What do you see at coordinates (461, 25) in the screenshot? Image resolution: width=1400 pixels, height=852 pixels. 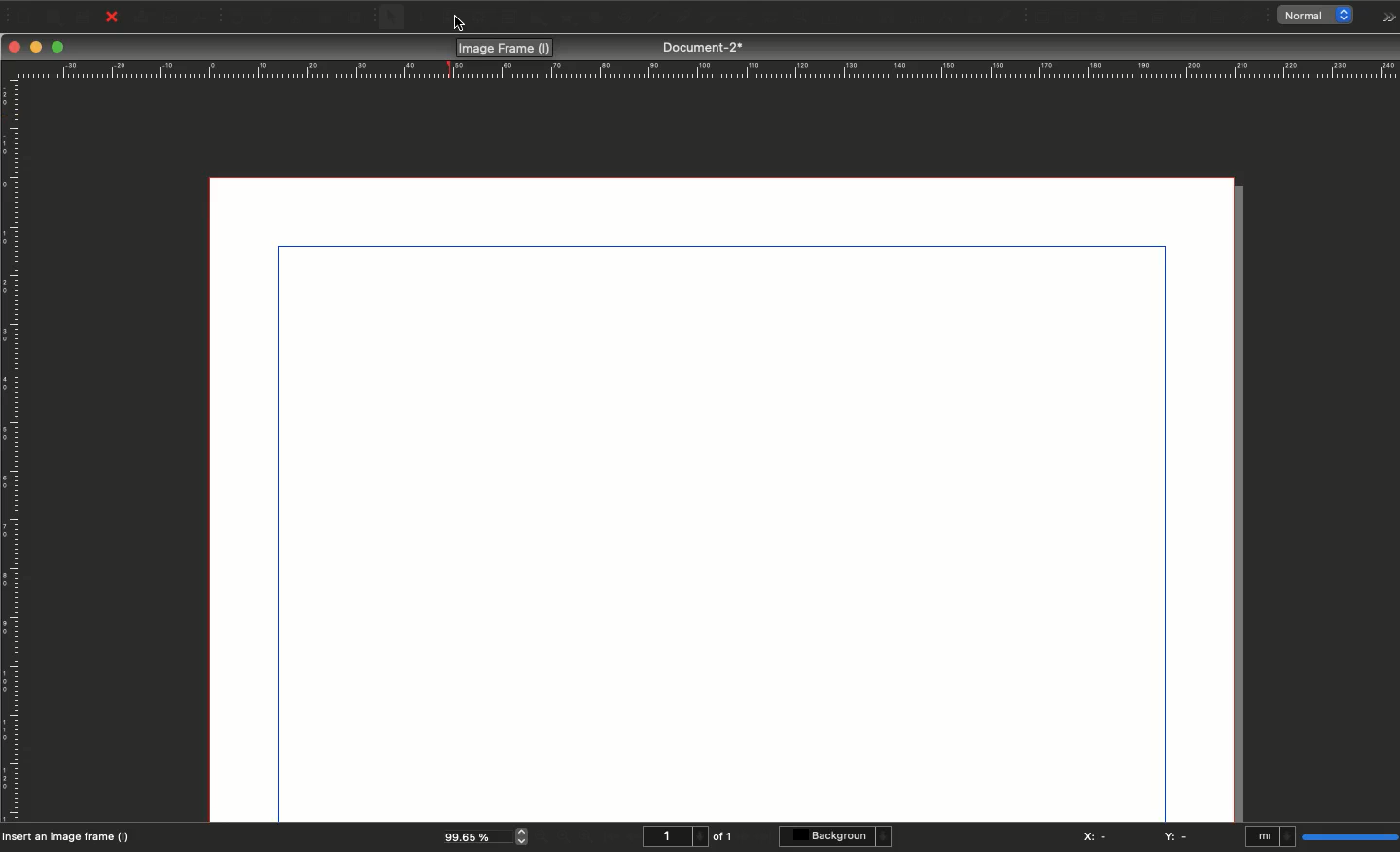 I see `cursor` at bounding box center [461, 25].